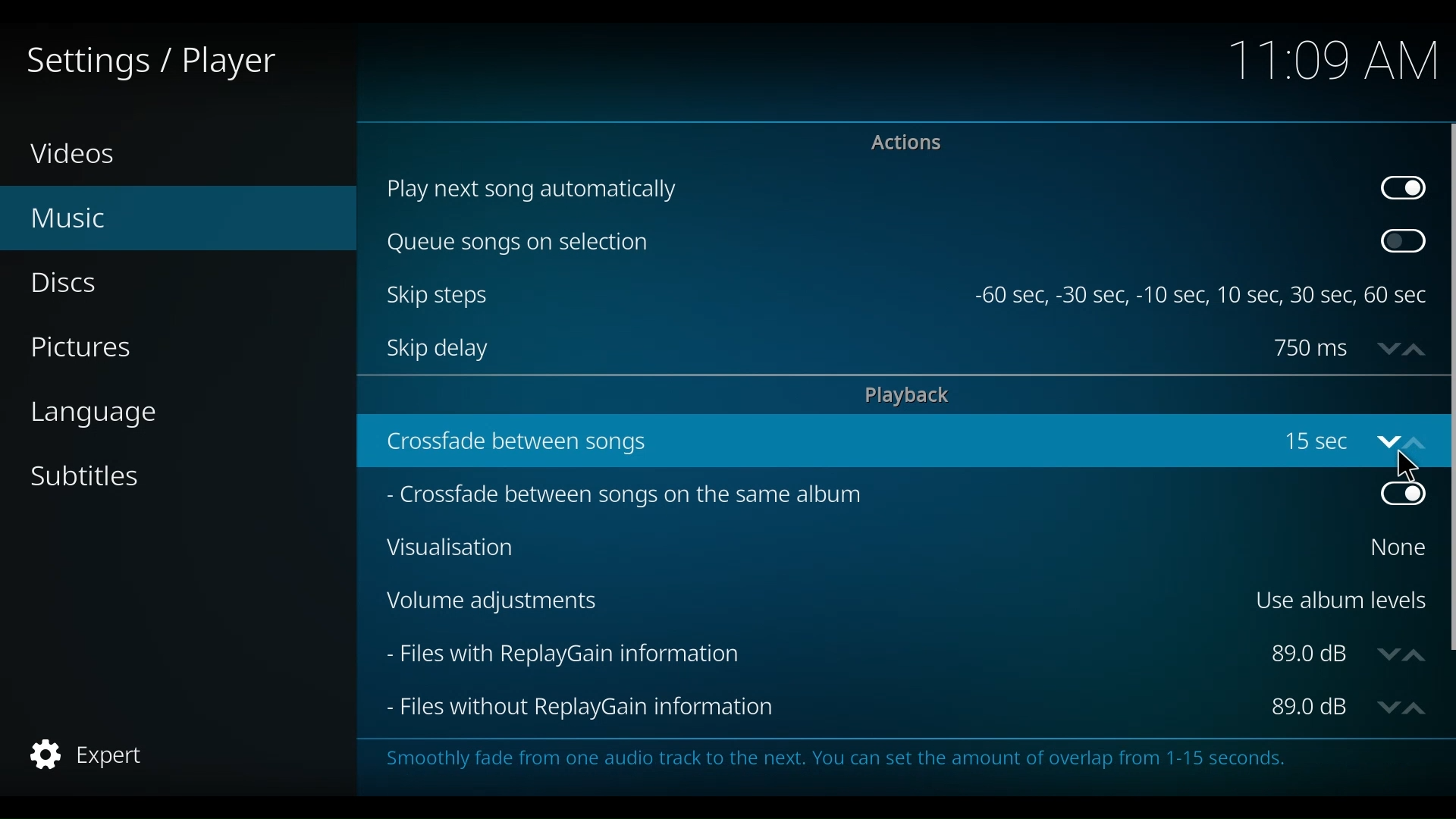 The height and width of the screenshot is (819, 1456). Describe the element at coordinates (1392, 547) in the screenshot. I see `Select Visualization` at that location.